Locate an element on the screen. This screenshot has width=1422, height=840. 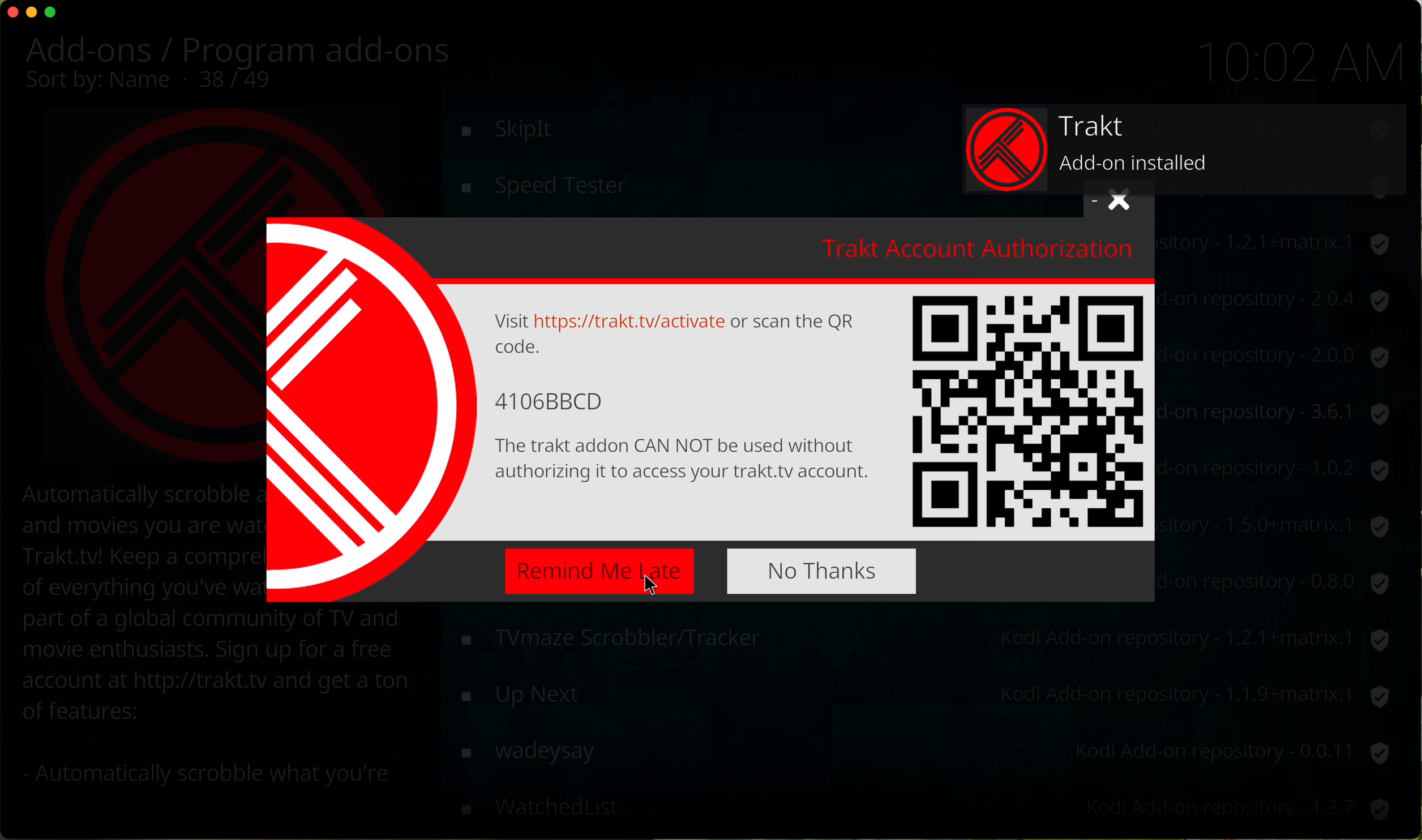
10:01 AM is located at coordinates (1299, 59).